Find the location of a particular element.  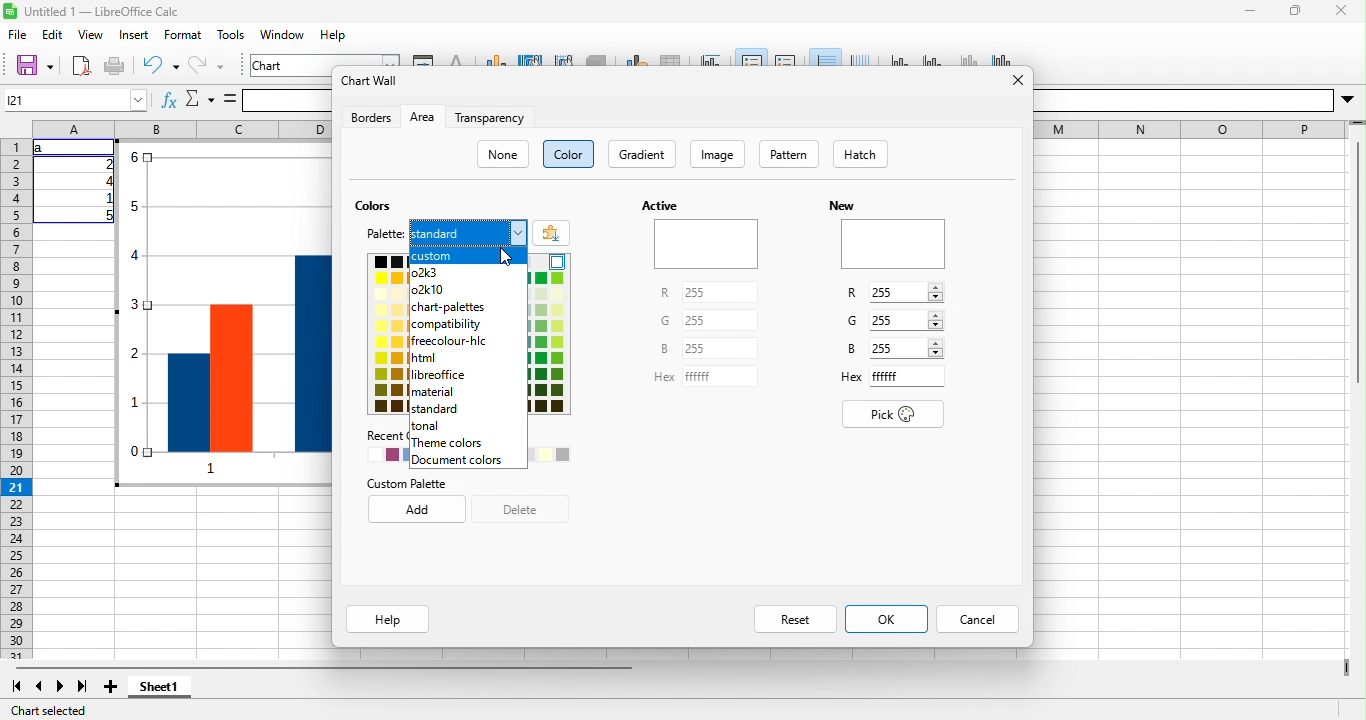

borders is located at coordinates (371, 117).